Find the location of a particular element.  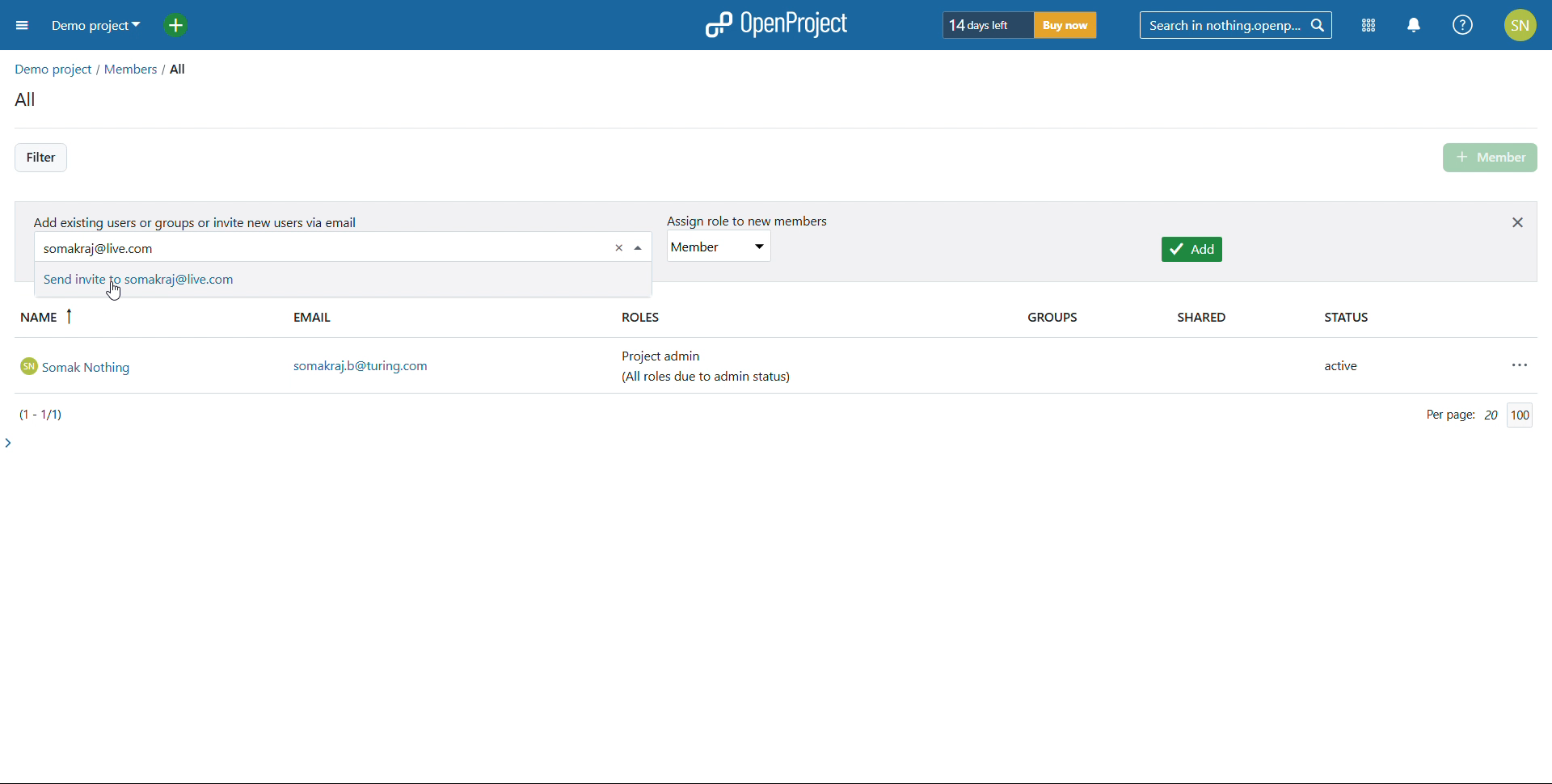

open project is located at coordinates (775, 24).